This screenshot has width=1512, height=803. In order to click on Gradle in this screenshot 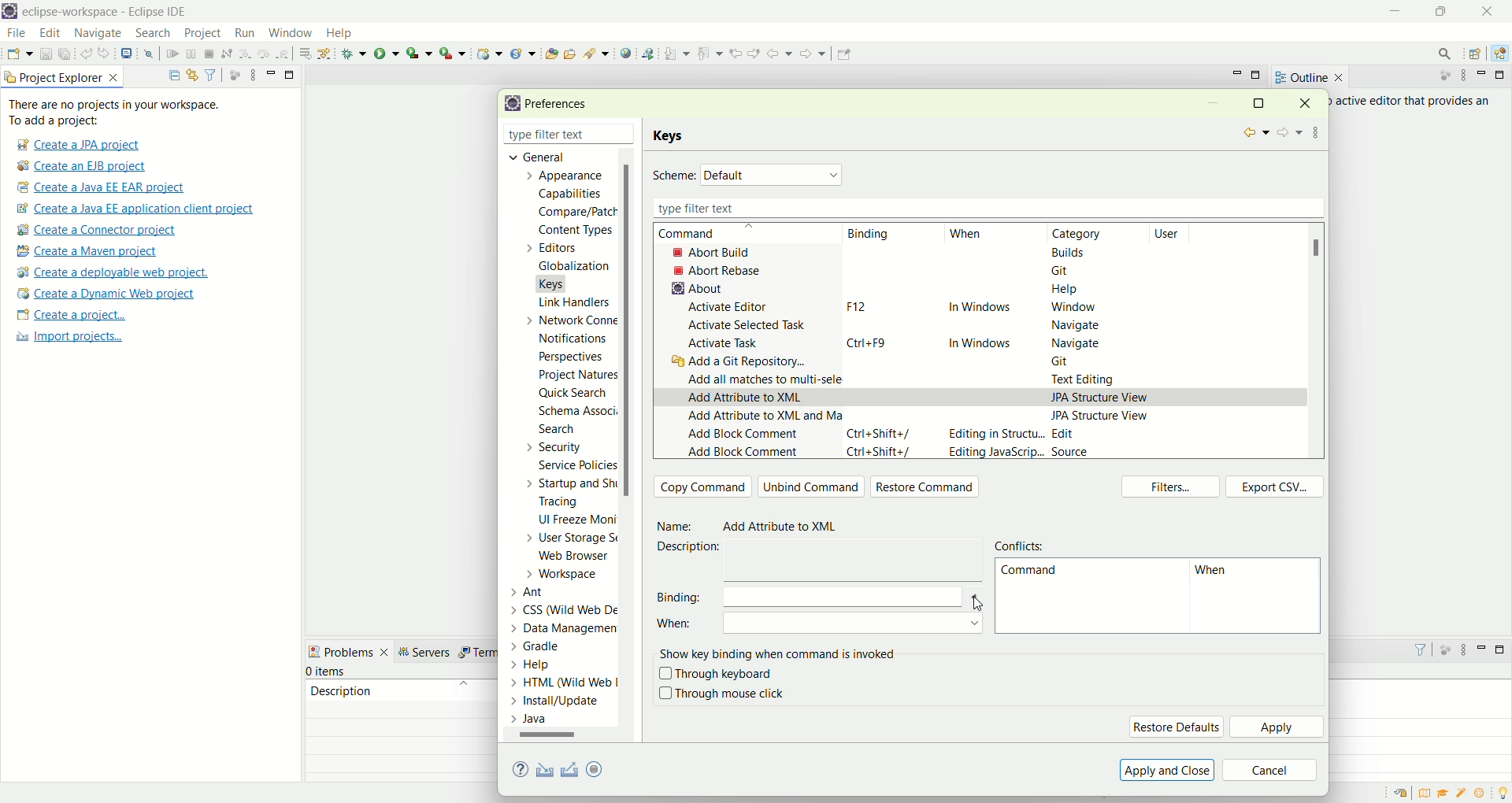, I will do `click(550, 645)`.